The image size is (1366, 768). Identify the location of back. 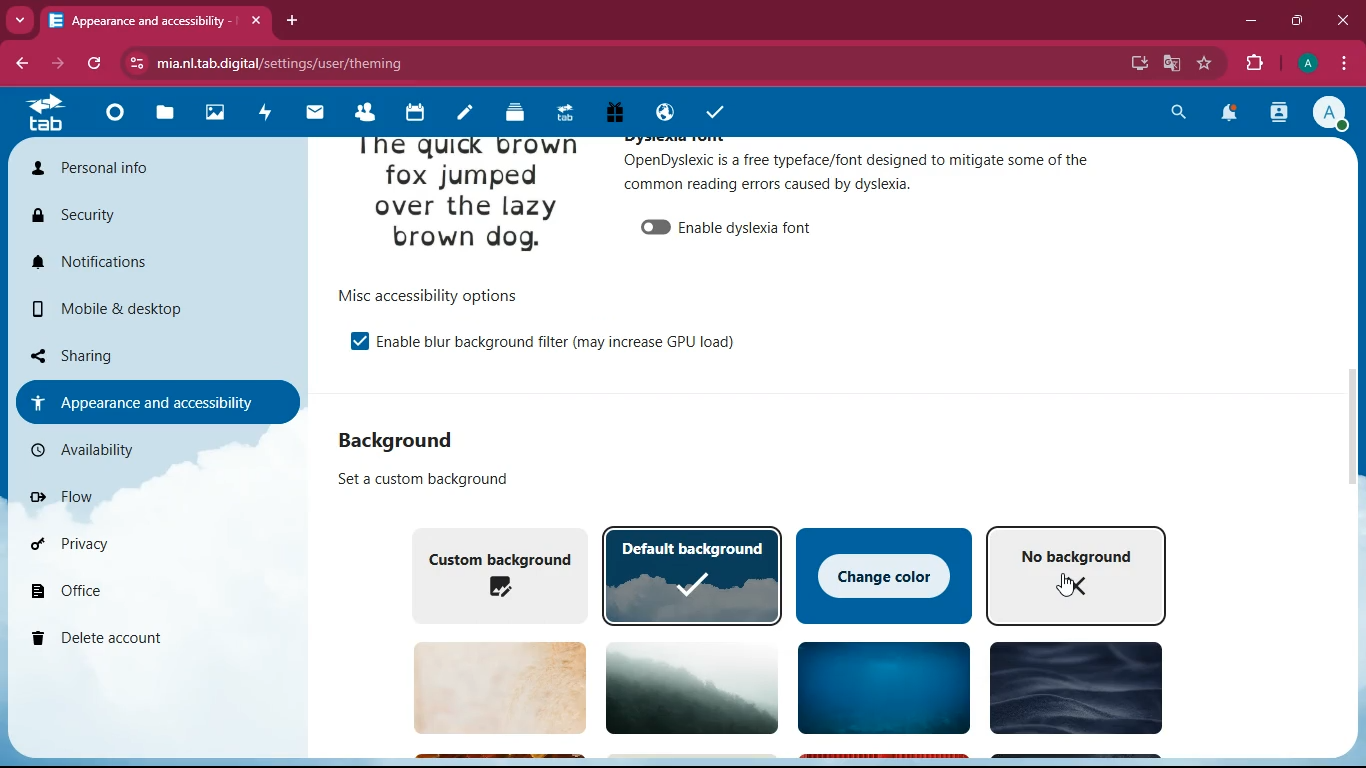
(25, 64).